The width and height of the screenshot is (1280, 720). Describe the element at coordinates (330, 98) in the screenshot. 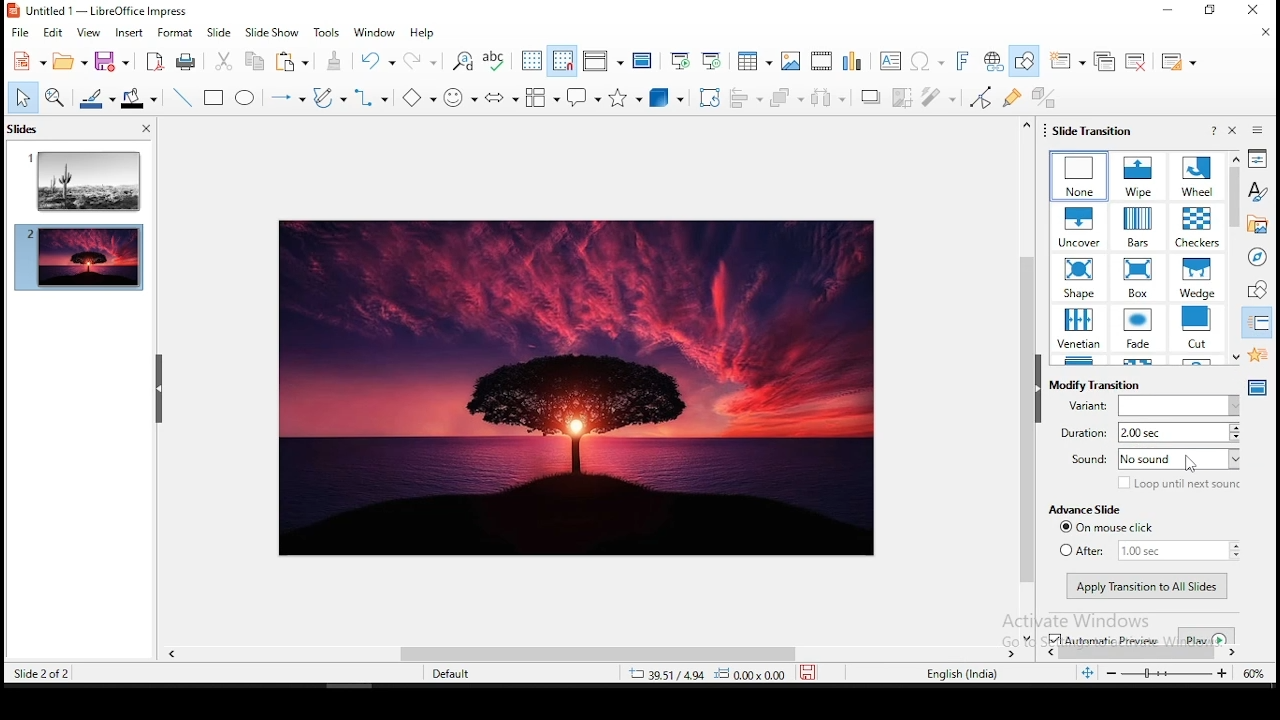

I see `curves and polygons` at that location.